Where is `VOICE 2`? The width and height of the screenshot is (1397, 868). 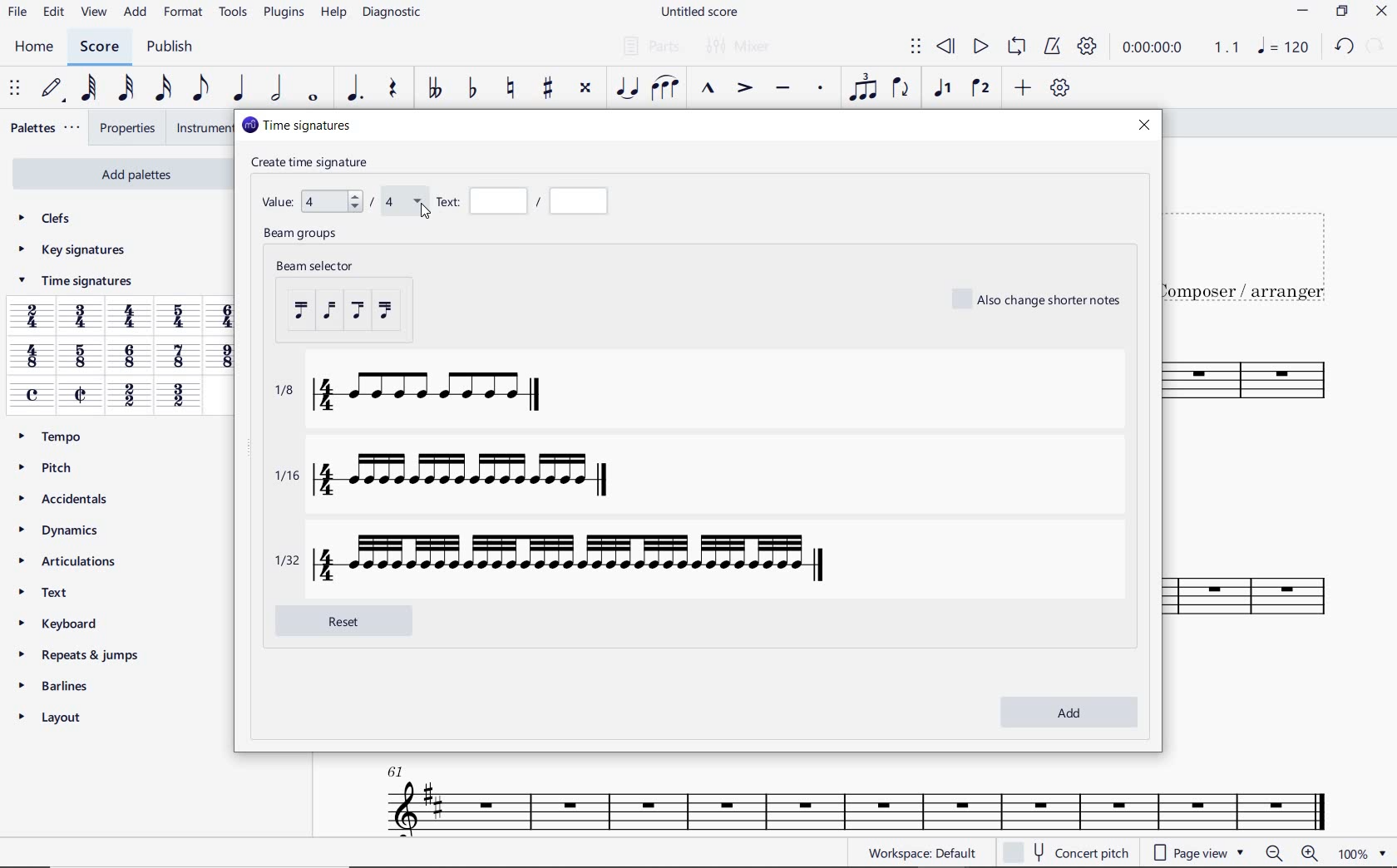
VOICE 2 is located at coordinates (980, 89).